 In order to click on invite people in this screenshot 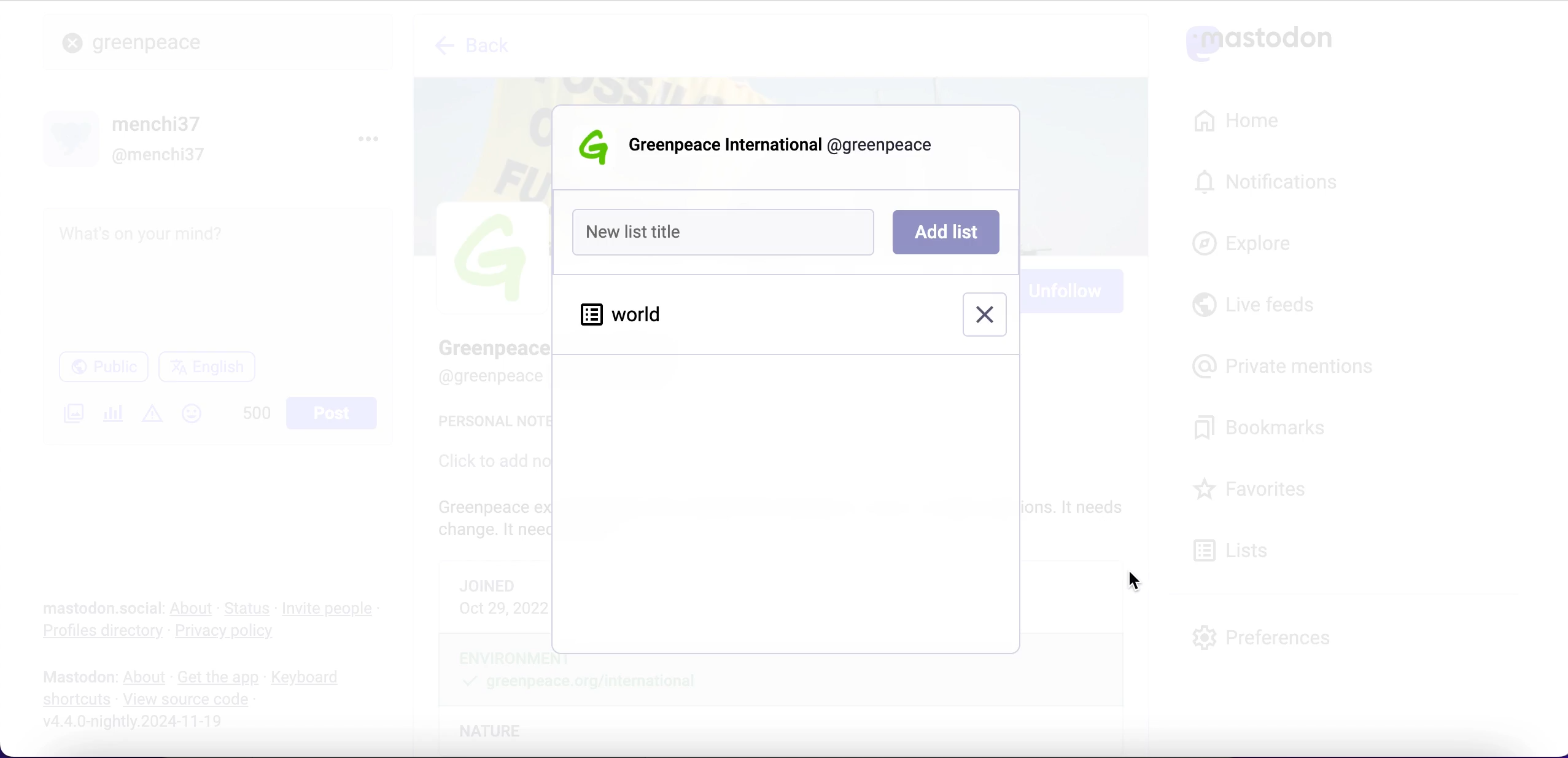, I will do `click(334, 609)`.